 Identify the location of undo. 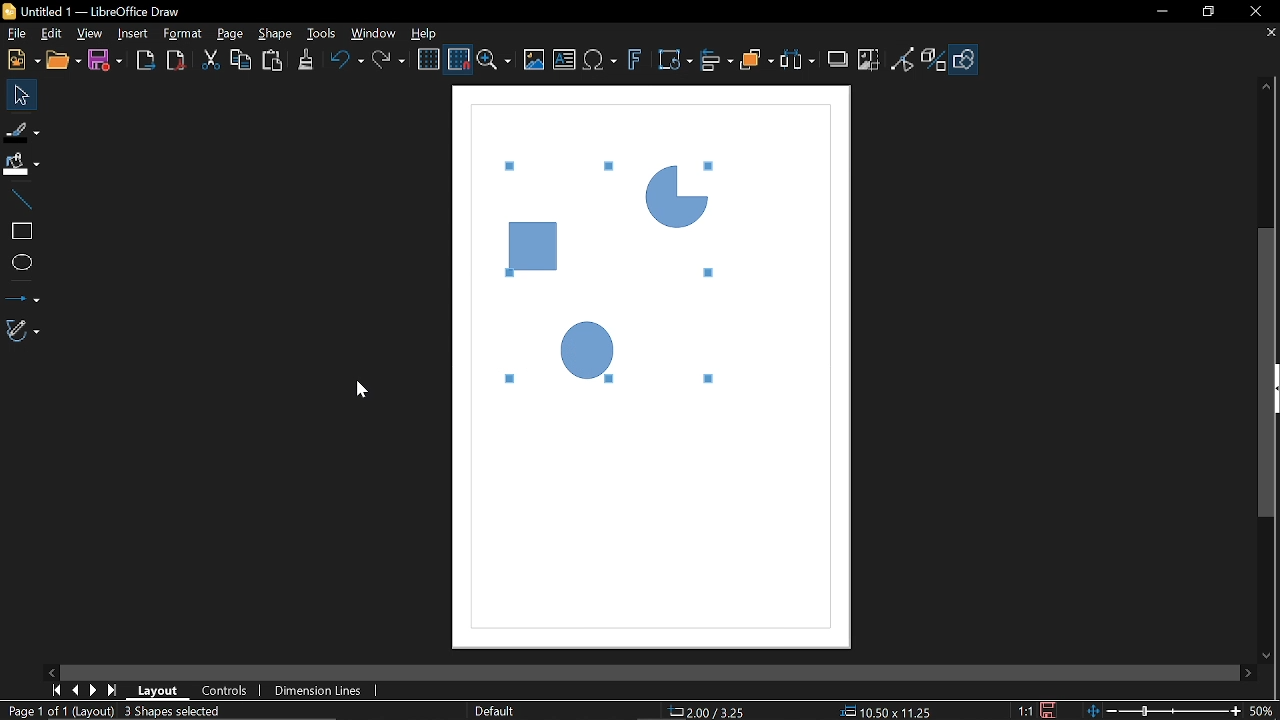
(346, 60).